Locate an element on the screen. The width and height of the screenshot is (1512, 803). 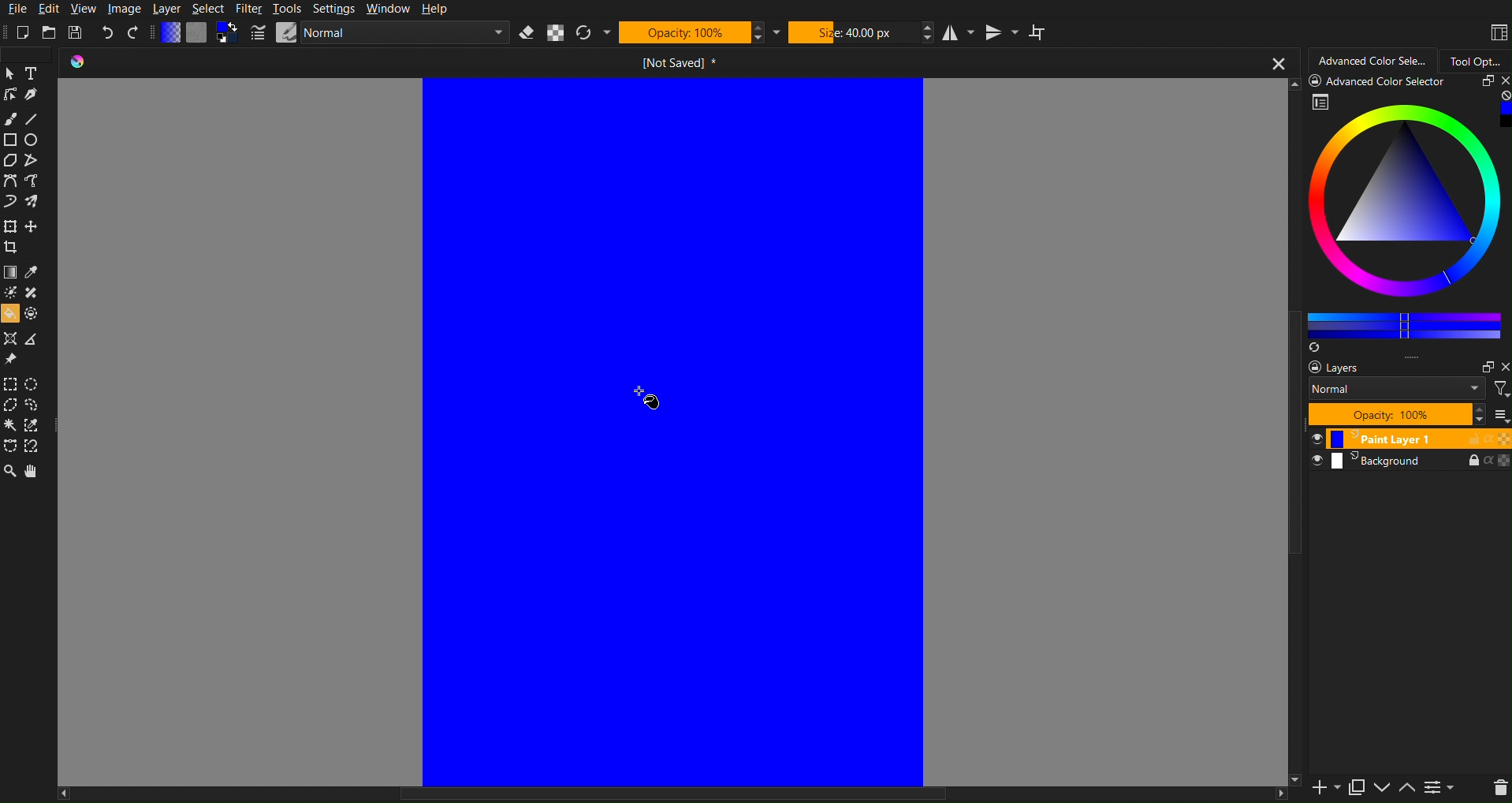
close is located at coordinates (1503, 364).